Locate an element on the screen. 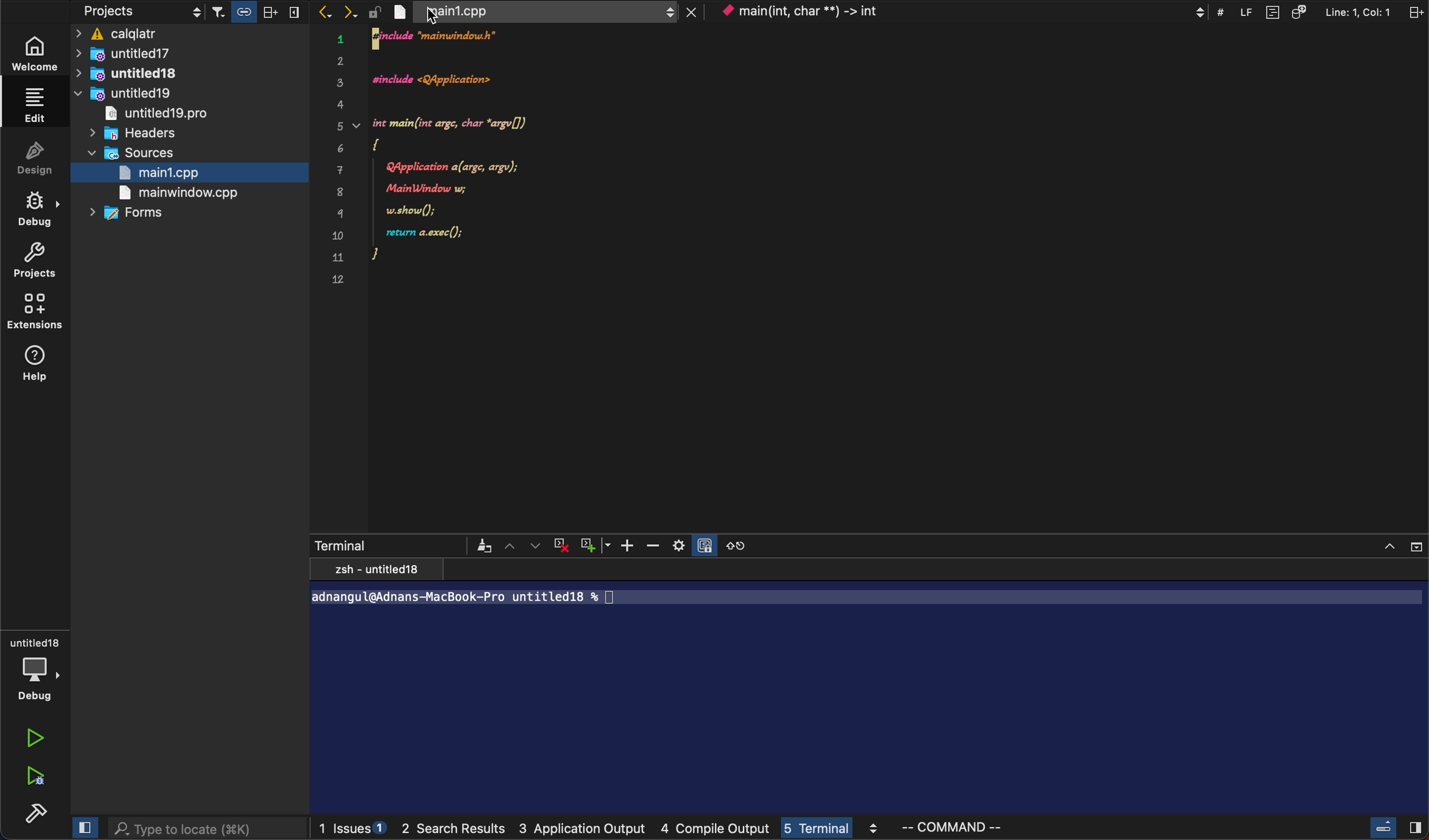 The width and height of the screenshot is (1429, 840). issues is located at coordinates (350, 831).